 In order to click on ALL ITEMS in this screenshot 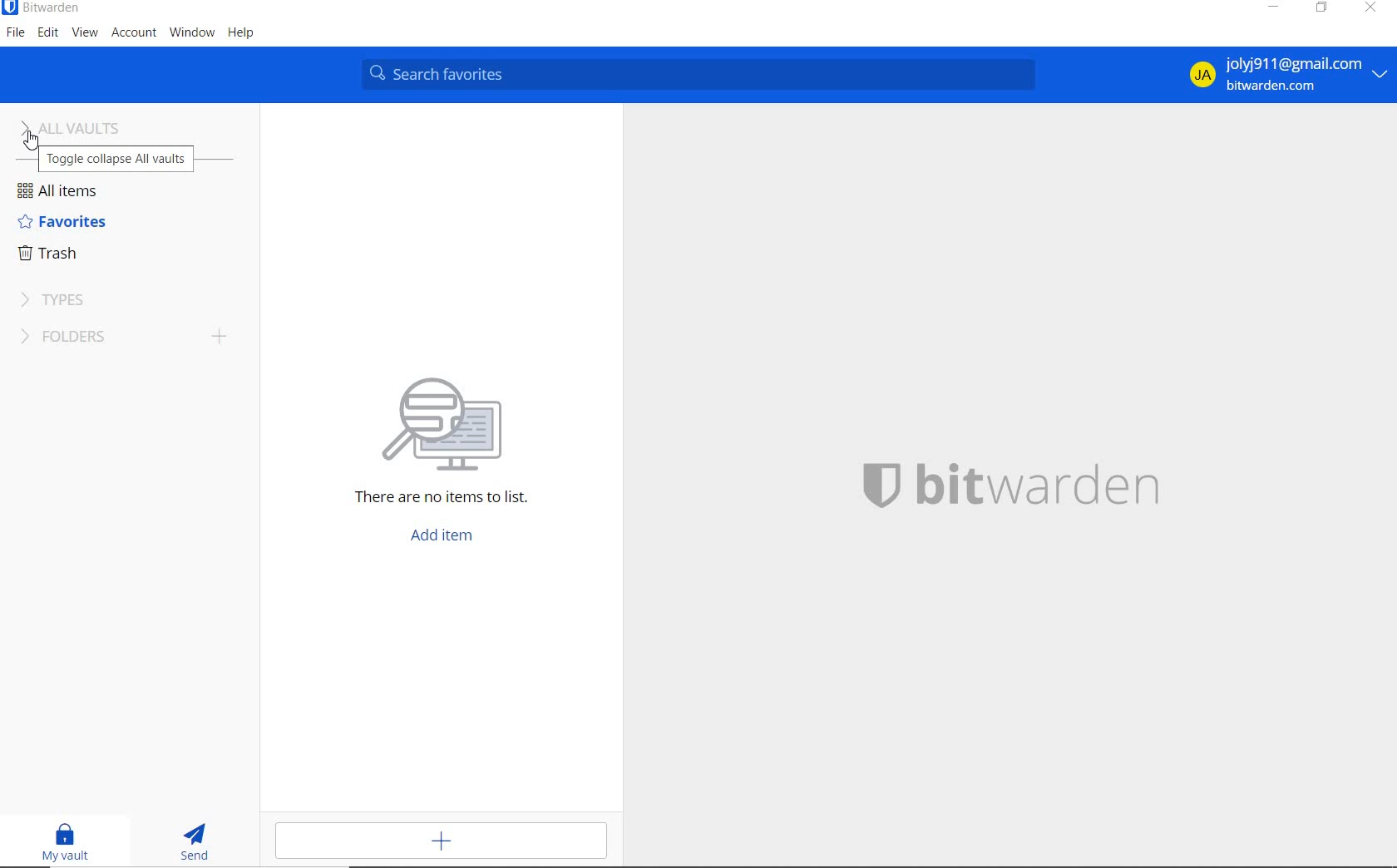, I will do `click(64, 192)`.